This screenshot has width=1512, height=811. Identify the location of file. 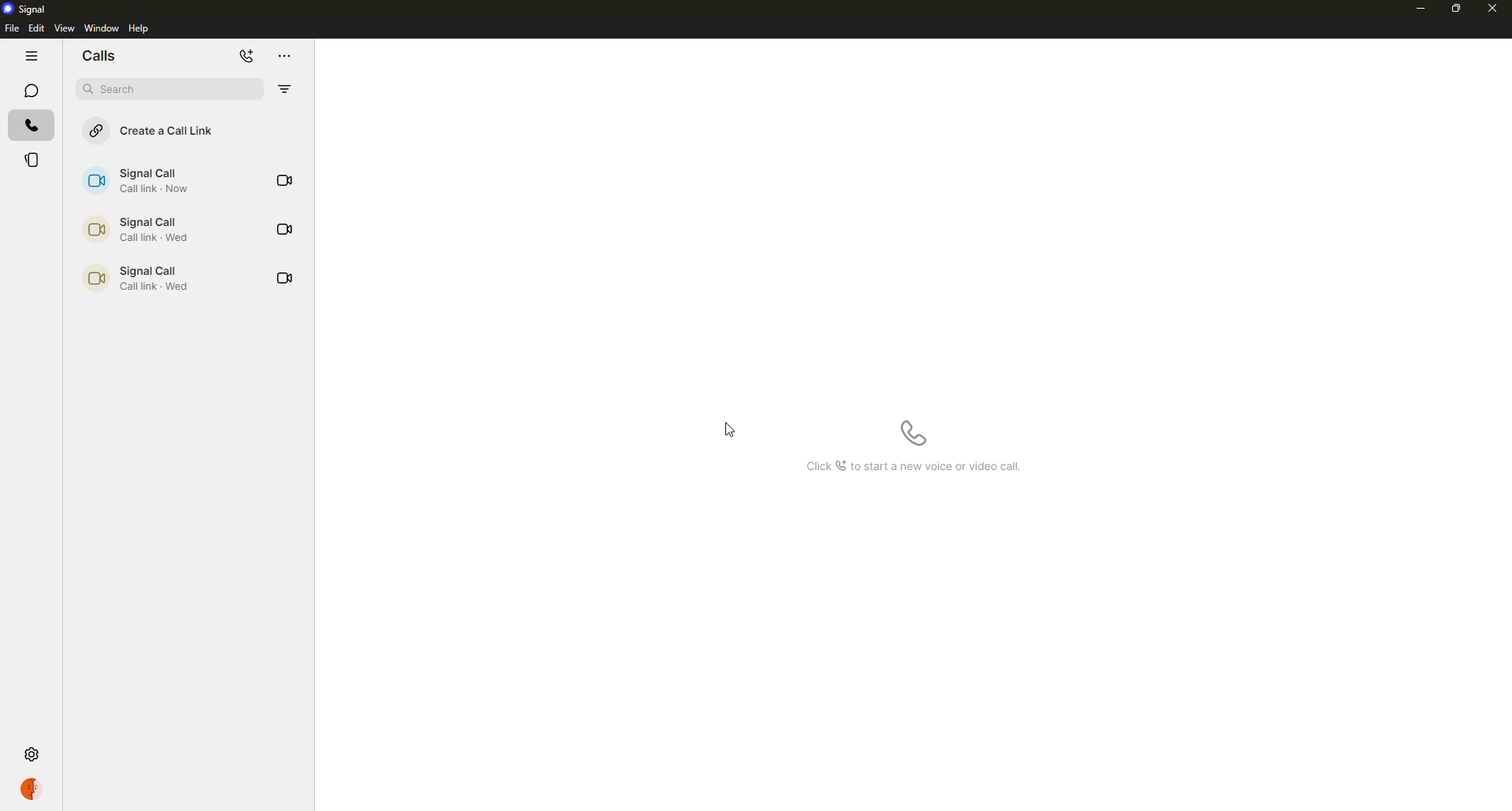
(11, 28).